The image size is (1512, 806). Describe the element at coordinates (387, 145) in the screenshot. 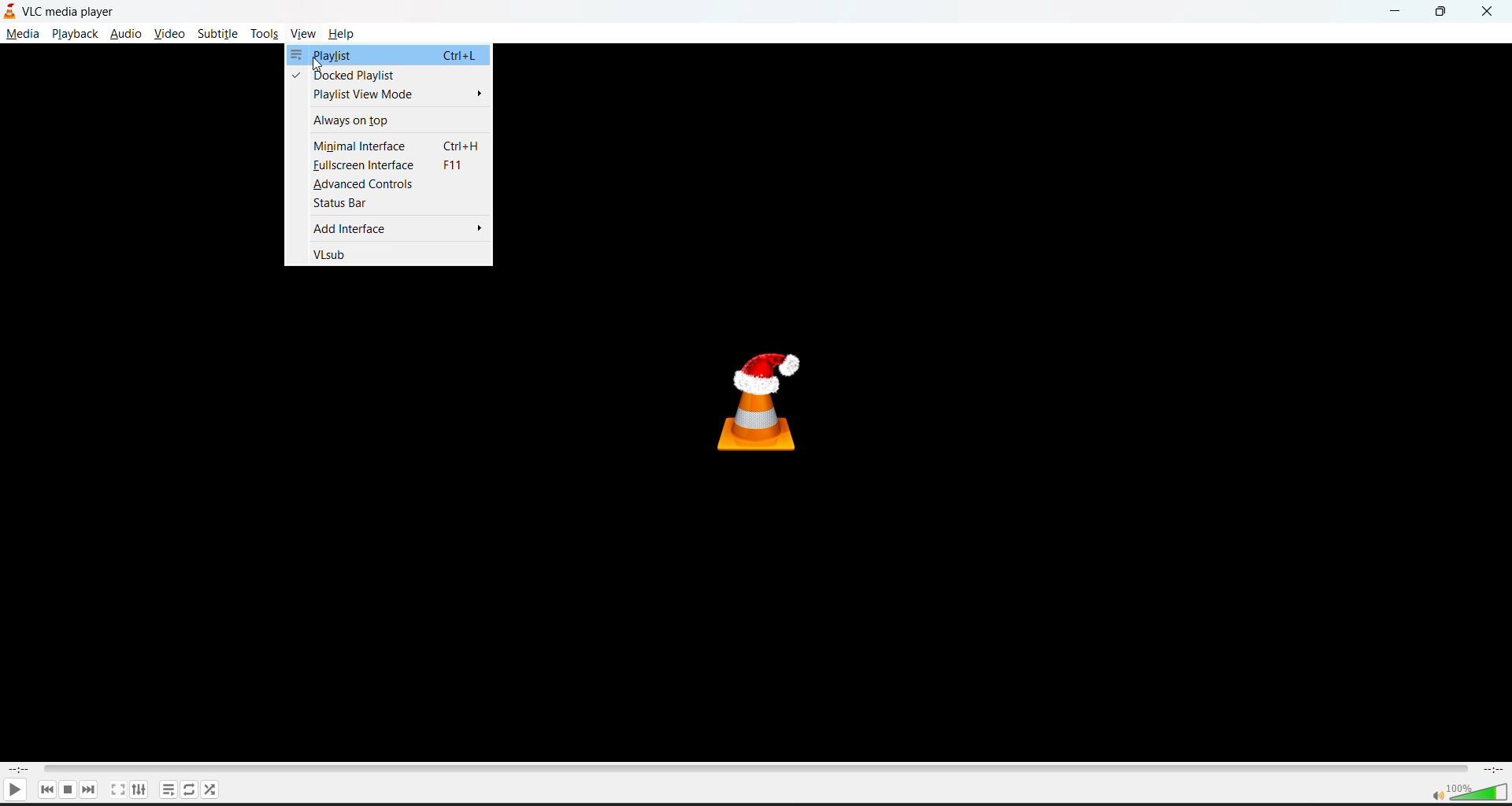

I see `minimal interface` at that location.